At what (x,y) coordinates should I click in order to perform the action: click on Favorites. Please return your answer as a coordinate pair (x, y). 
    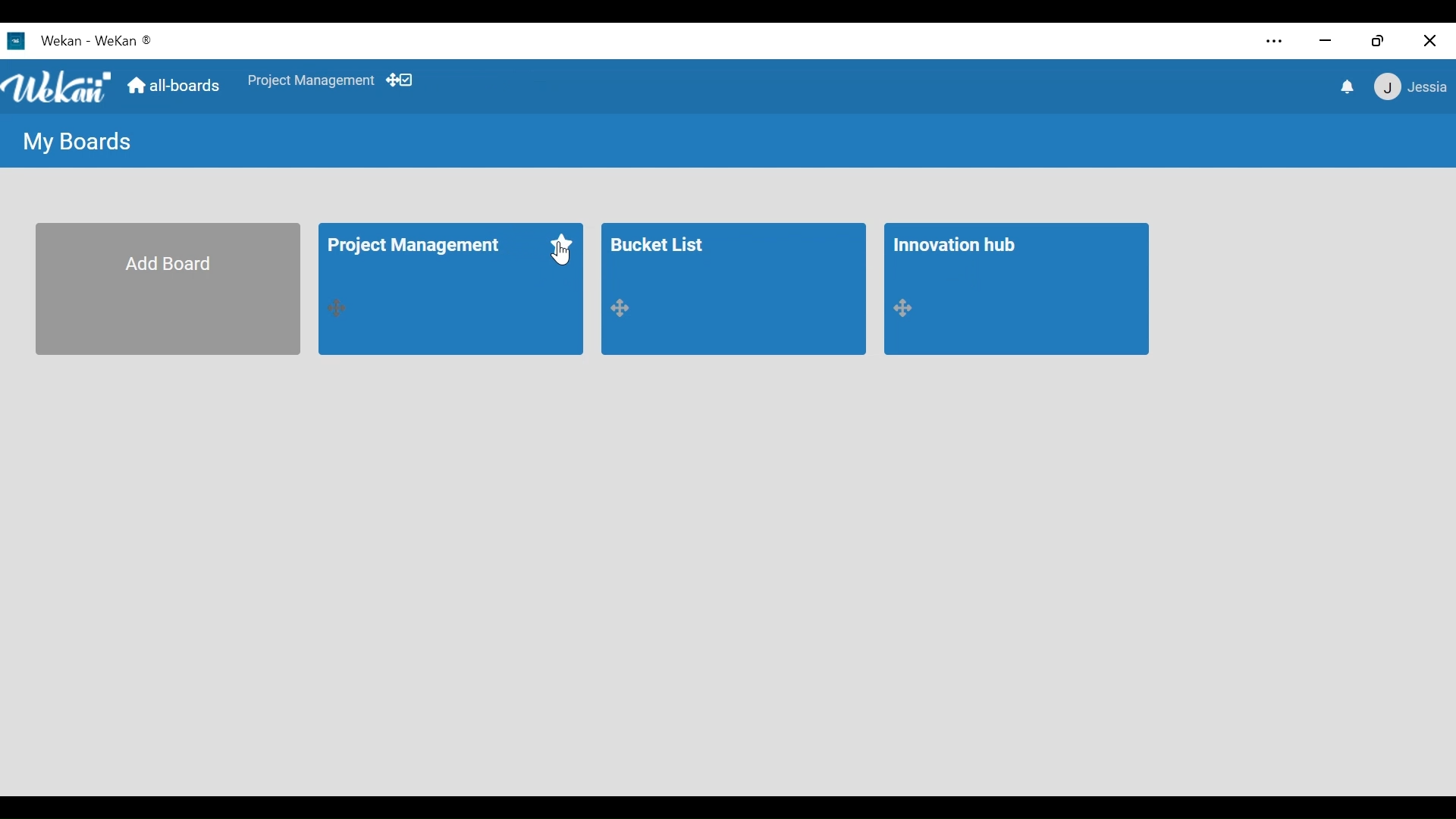
    Looking at the image, I should click on (563, 244).